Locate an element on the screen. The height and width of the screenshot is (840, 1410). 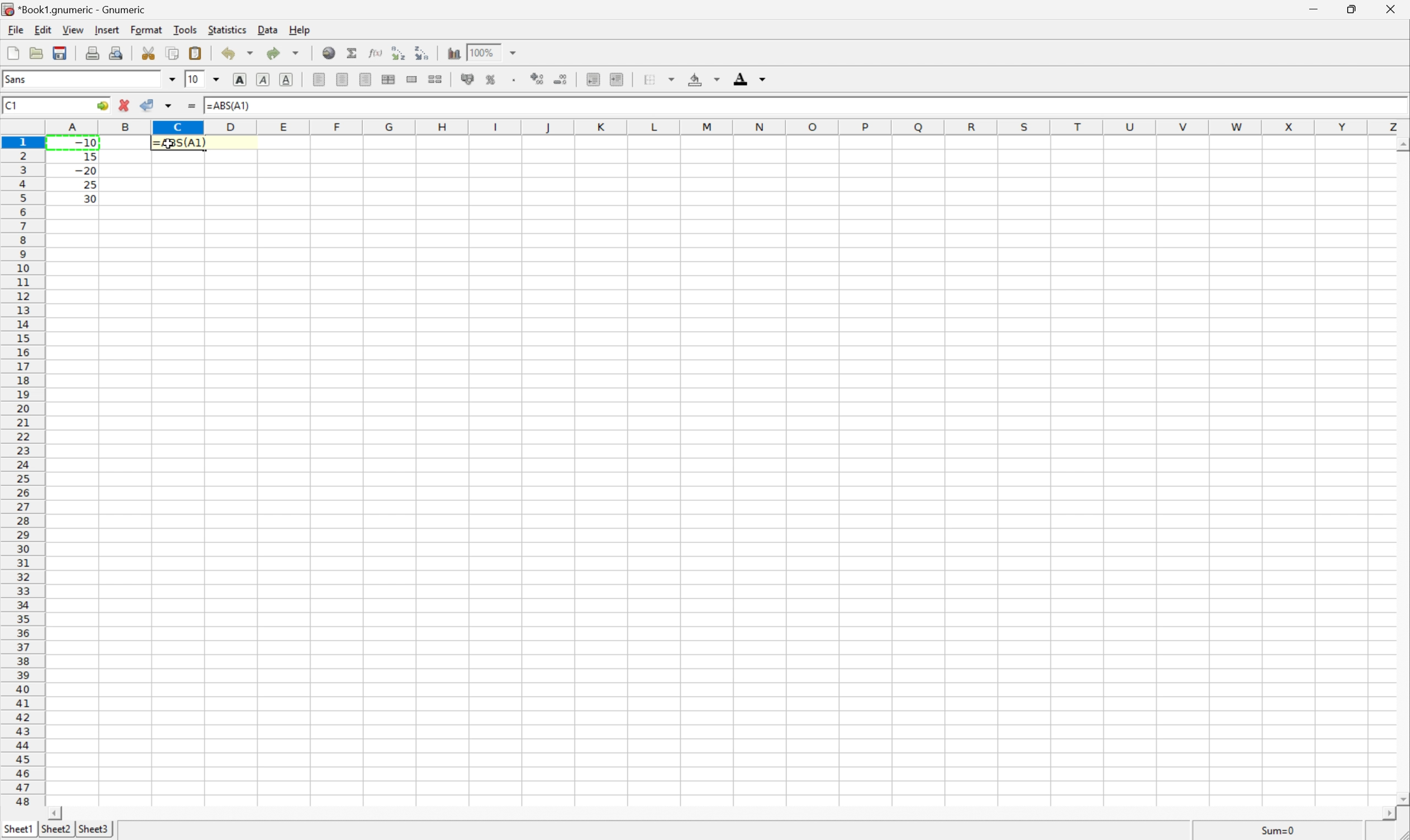
Save the current file is located at coordinates (61, 52).